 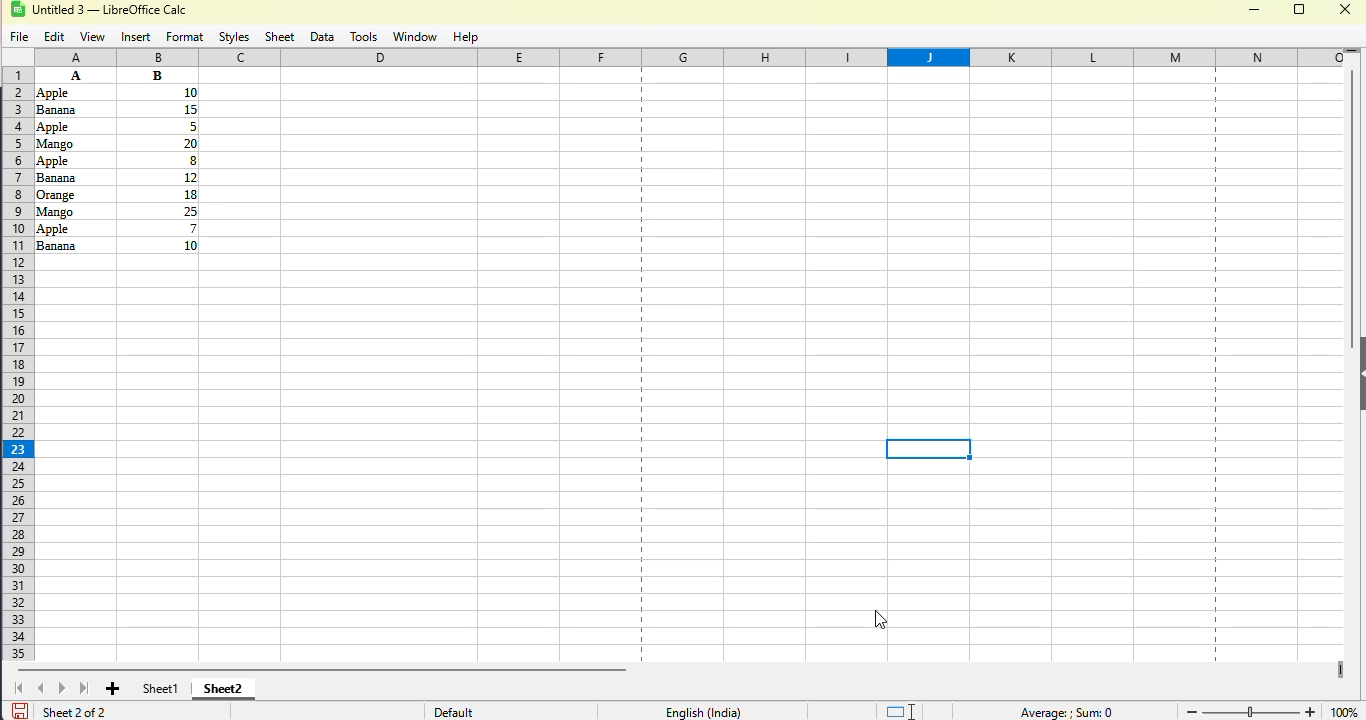 What do you see at coordinates (85, 687) in the screenshot?
I see `scroll to last sheet` at bounding box center [85, 687].